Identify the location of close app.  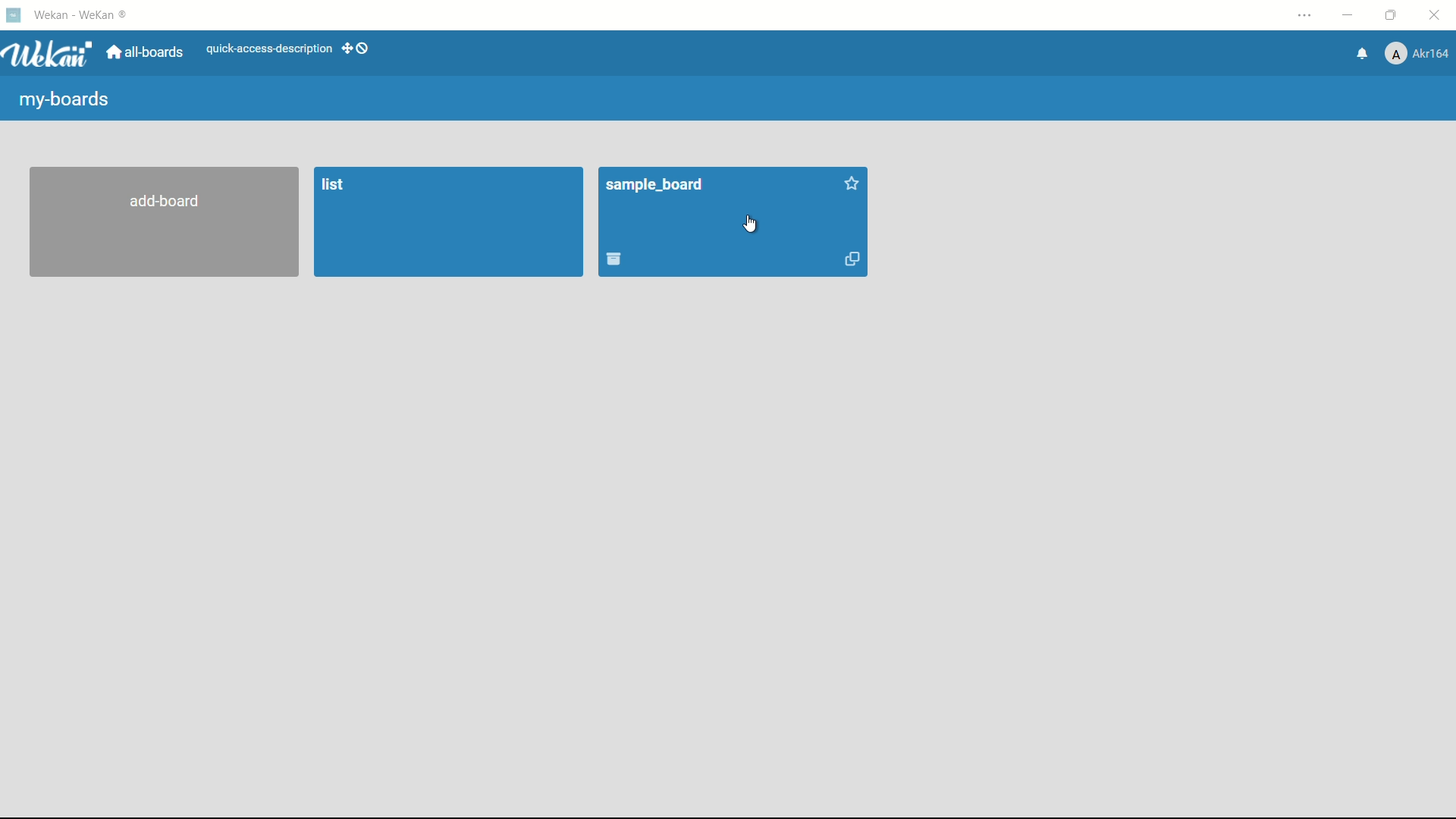
(1434, 15).